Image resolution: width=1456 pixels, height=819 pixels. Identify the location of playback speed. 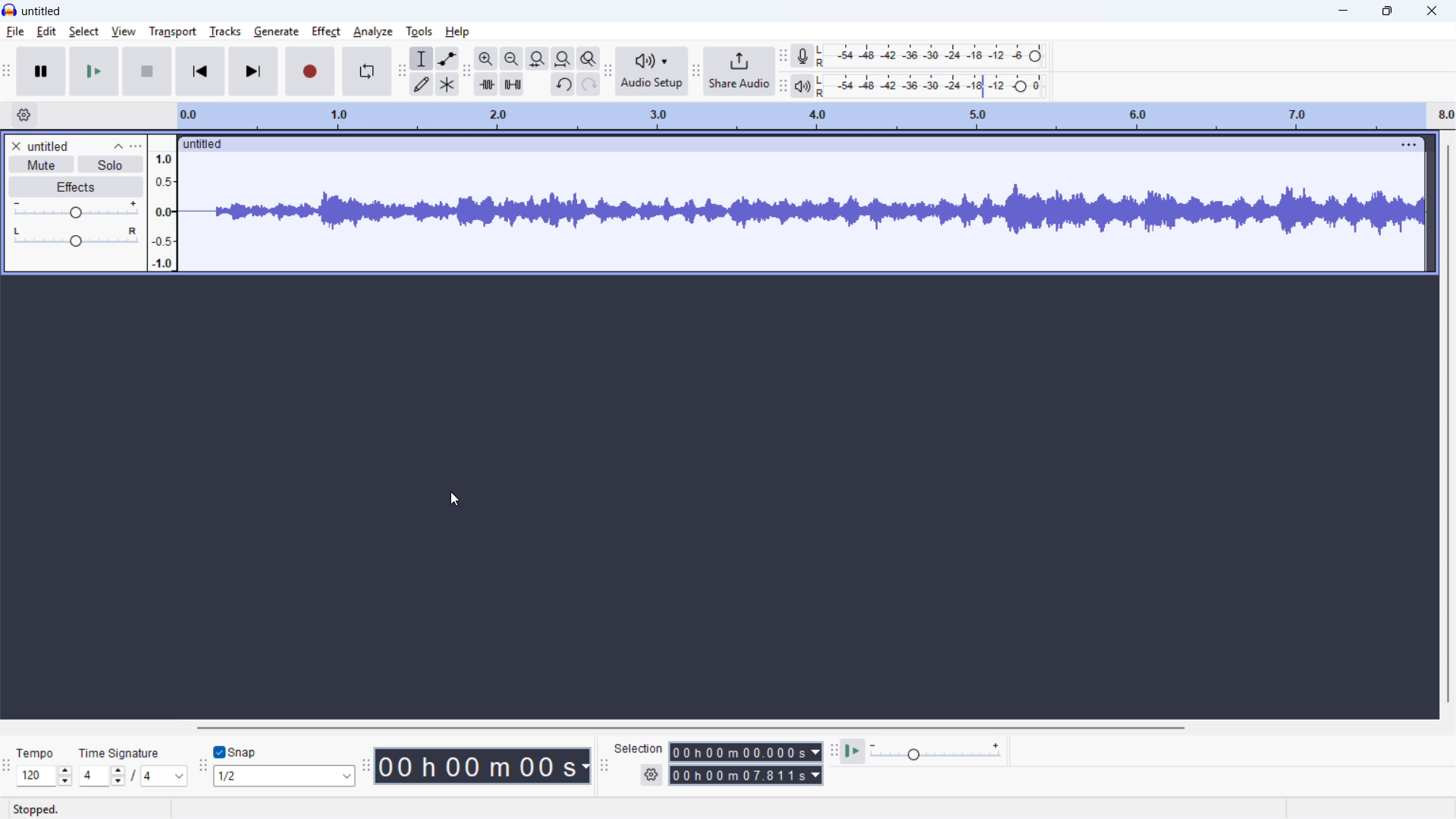
(935, 752).